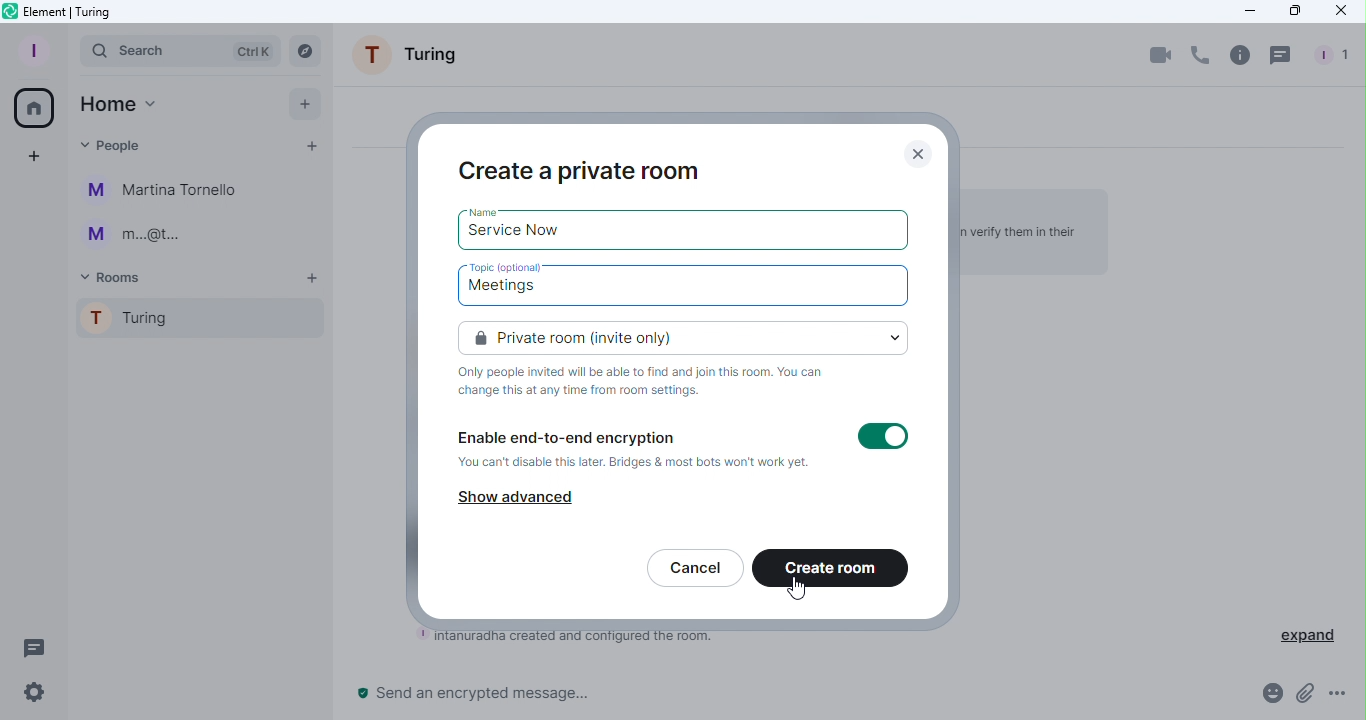 The image size is (1366, 720). What do you see at coordinates (165, 191) in the screenshot?
I see `Martina Tornello` at bounding box center [165, 191].